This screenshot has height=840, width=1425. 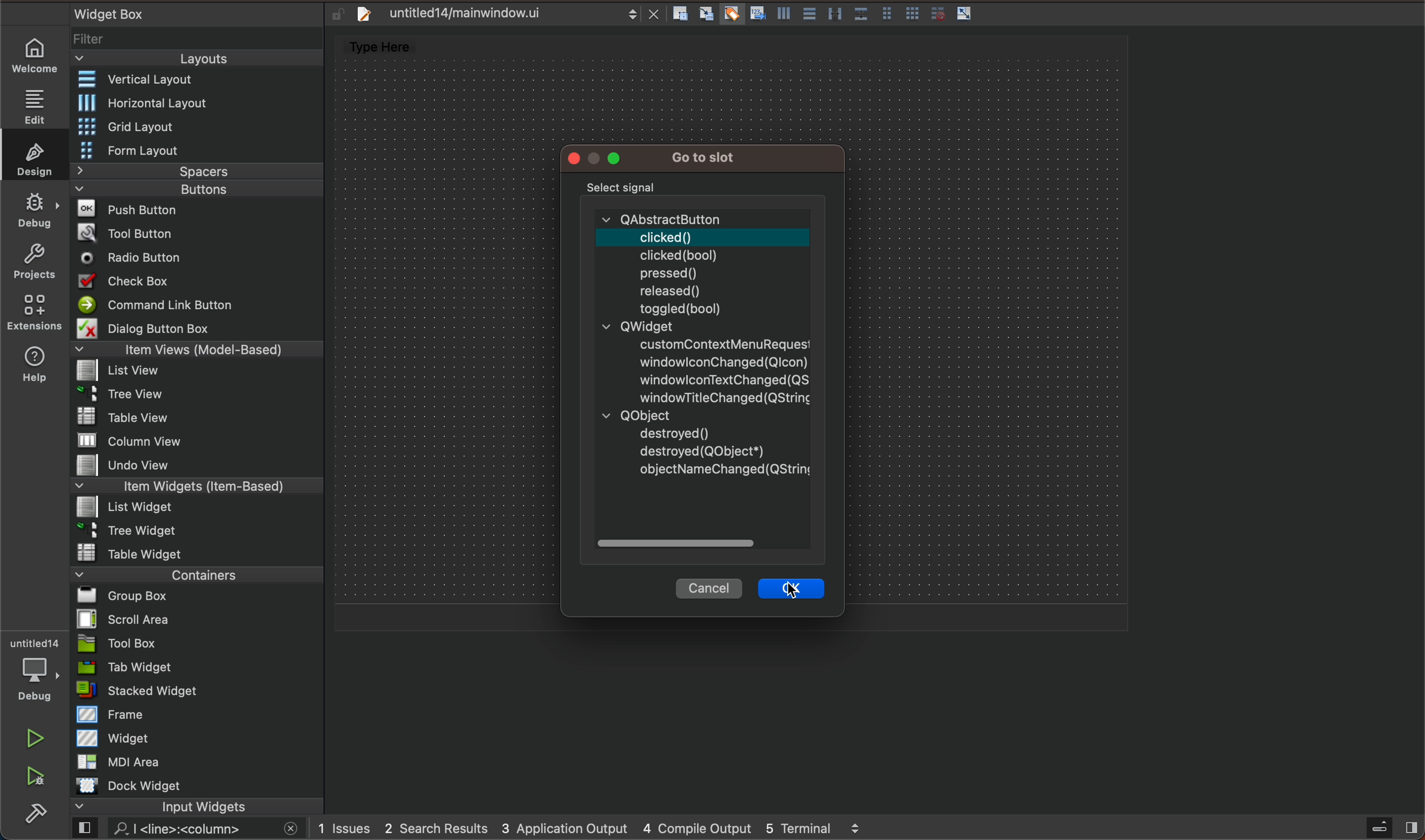 What do you see at coordinates (912, 13) in the screenshot?
I see `` at bounding box center [912, 13].